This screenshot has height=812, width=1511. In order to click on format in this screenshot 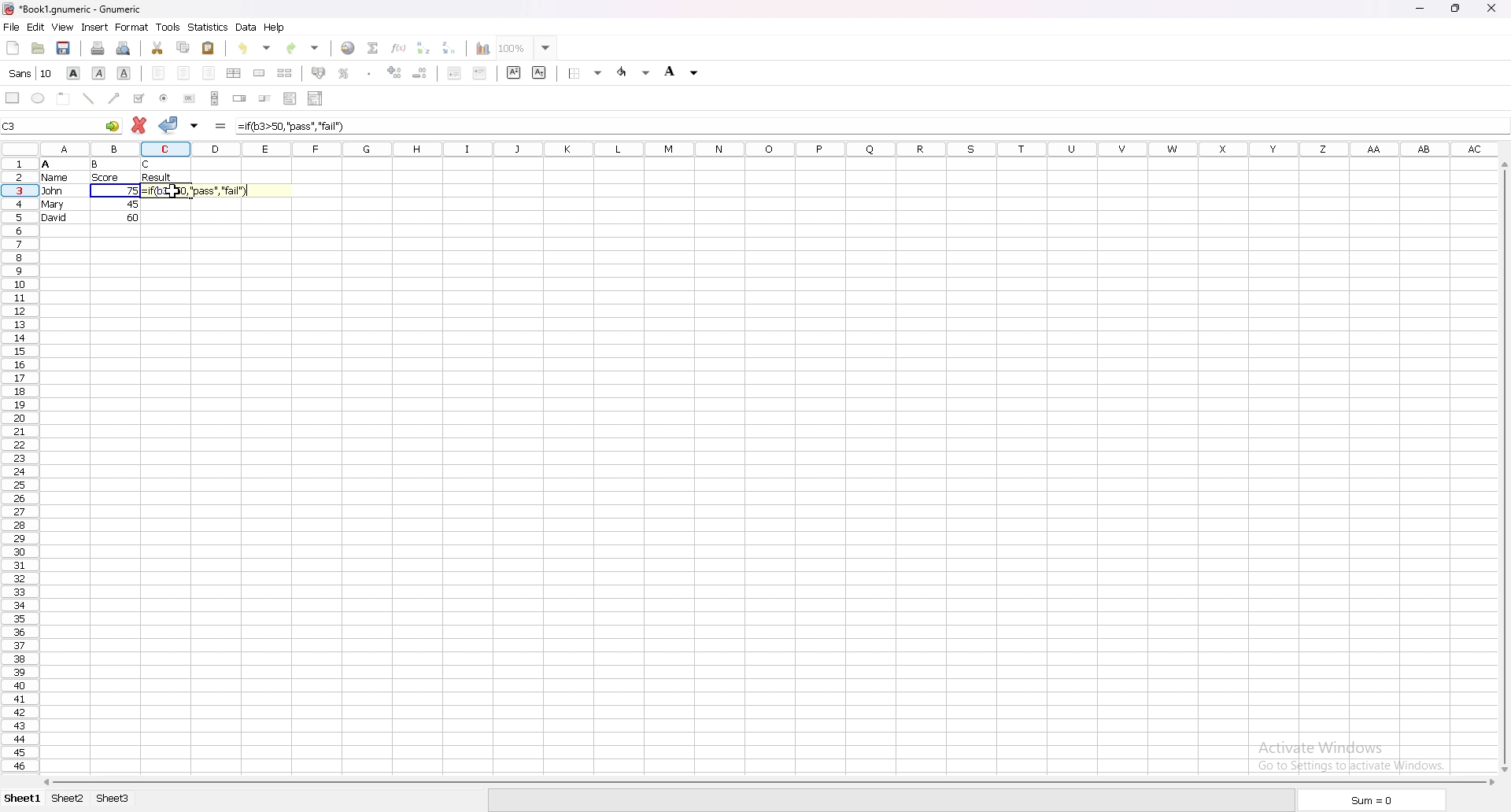, I will do `click(132, 27)`.